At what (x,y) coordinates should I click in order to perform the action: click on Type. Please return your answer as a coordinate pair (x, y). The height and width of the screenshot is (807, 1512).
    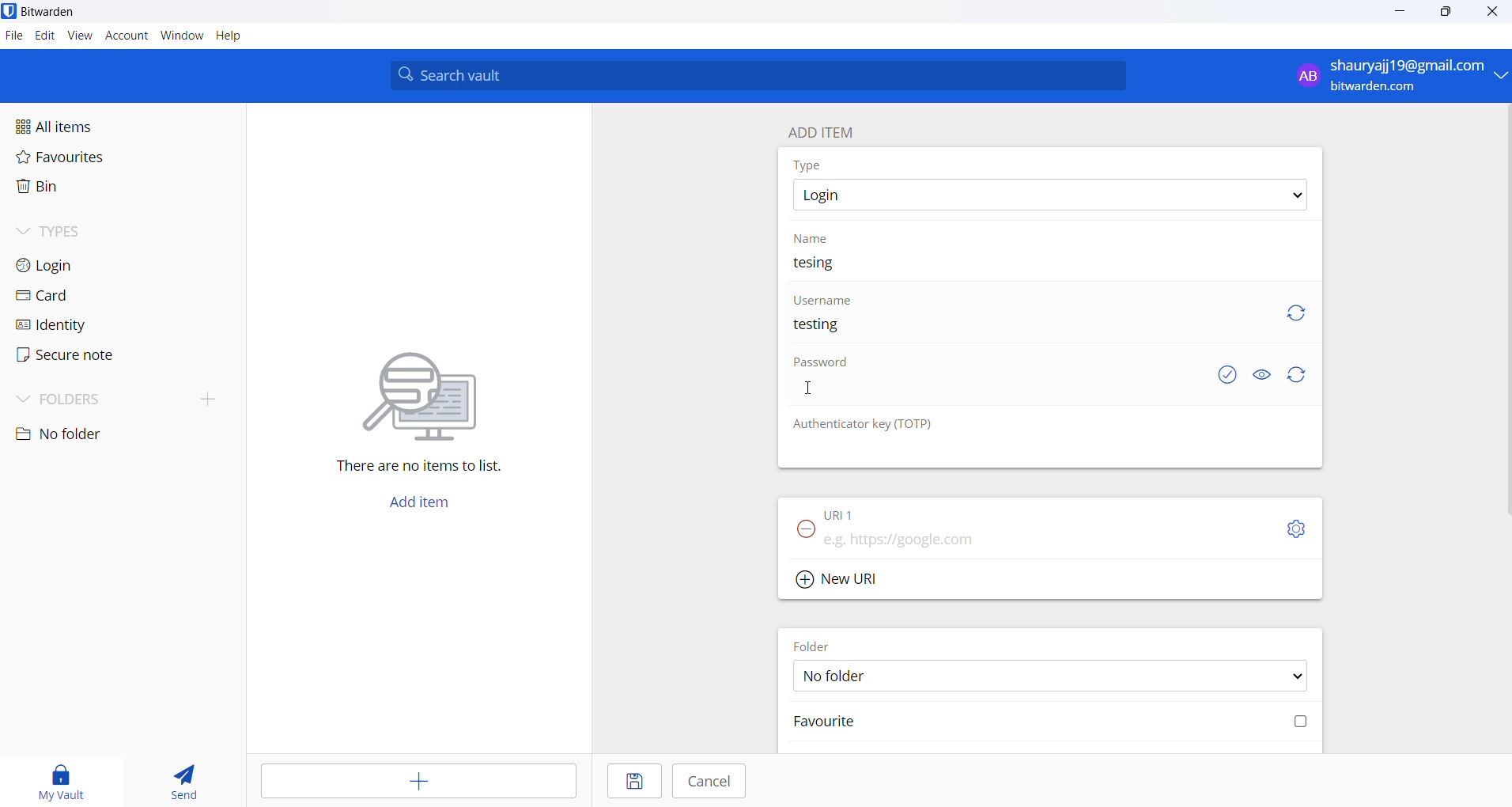
    Looking at the image, I should click on (811, 165).